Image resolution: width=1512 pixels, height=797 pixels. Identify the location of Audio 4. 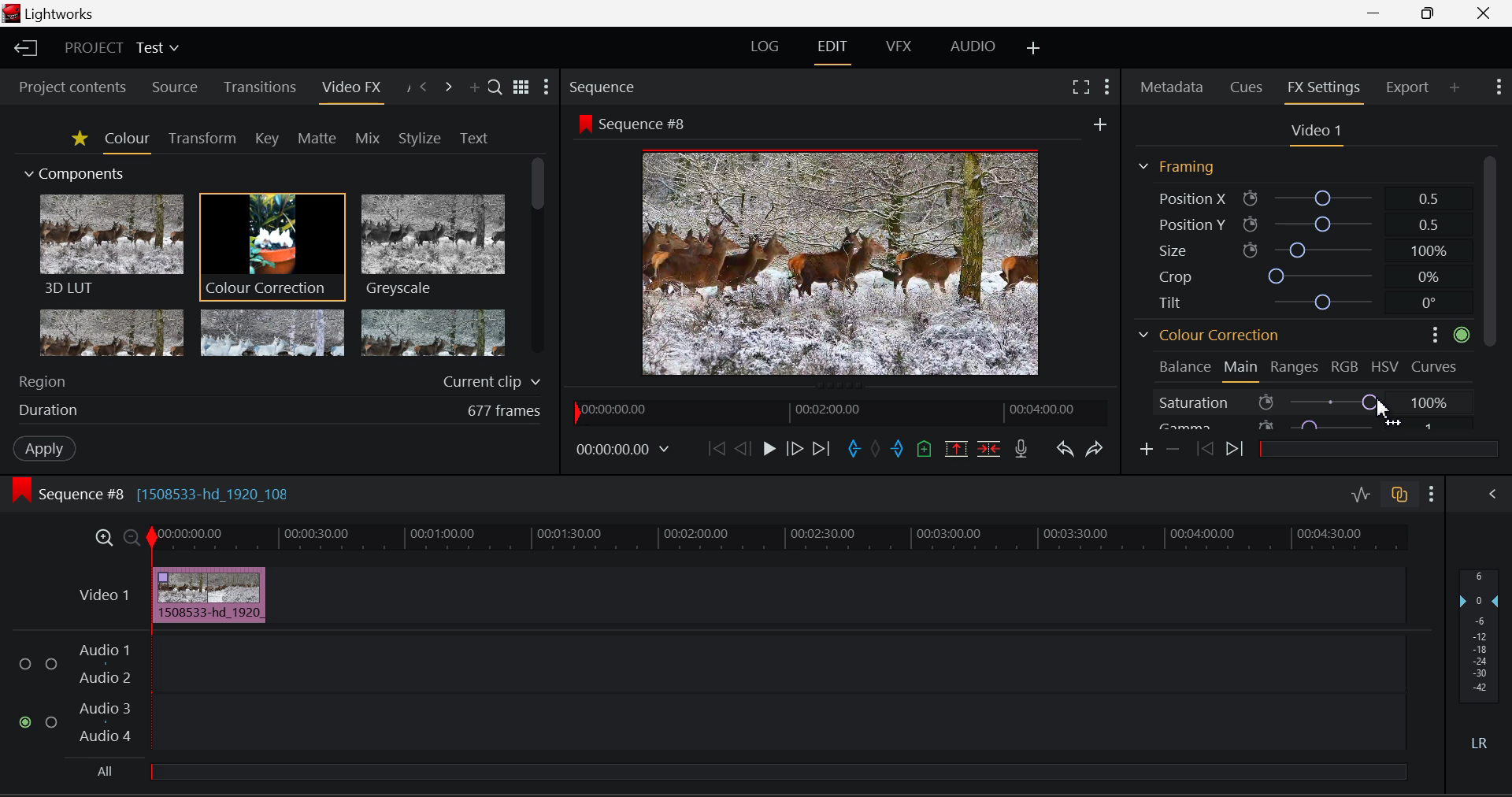
(107, 739).